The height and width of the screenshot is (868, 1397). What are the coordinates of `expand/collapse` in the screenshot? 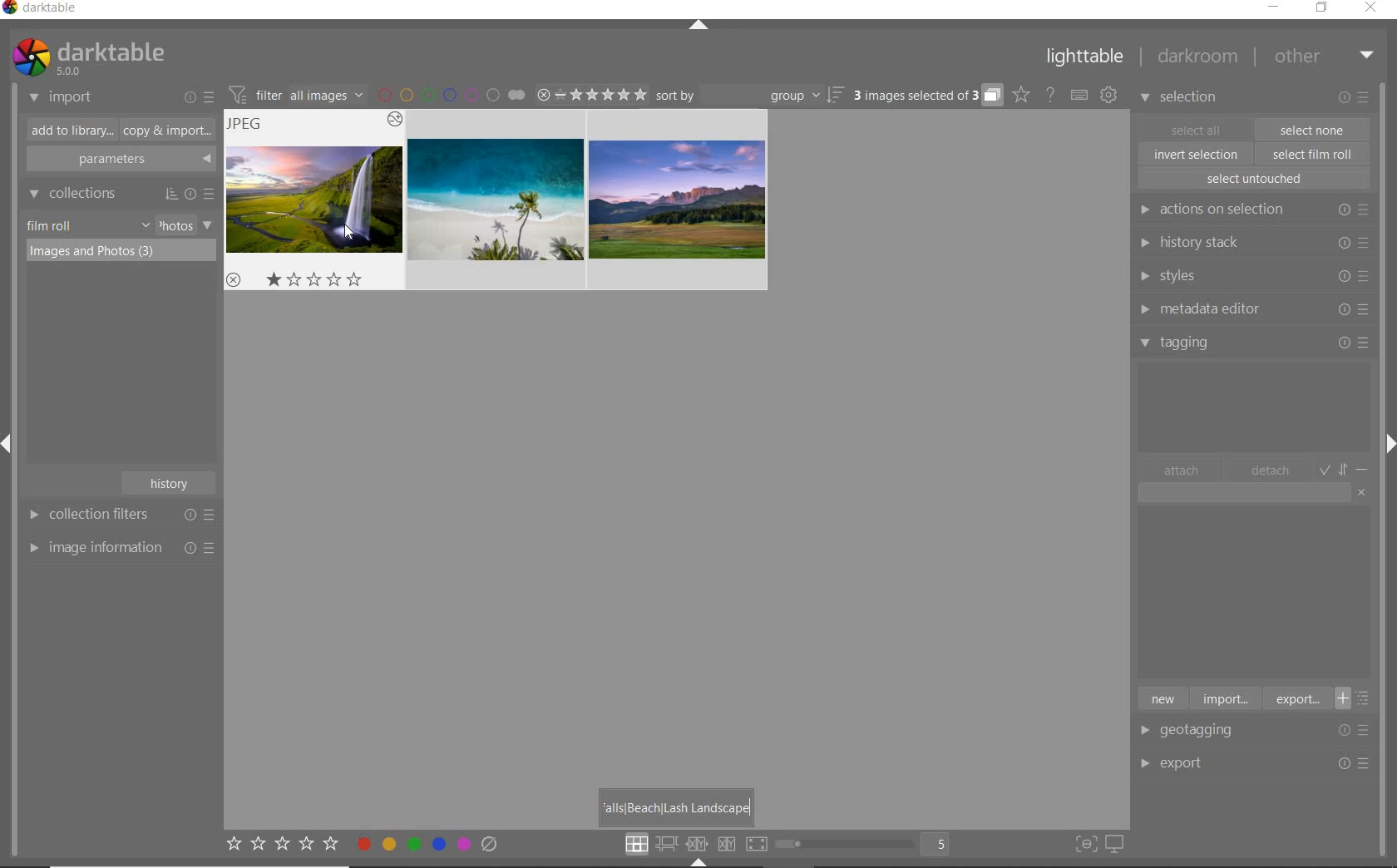 It's located at (699, 27).